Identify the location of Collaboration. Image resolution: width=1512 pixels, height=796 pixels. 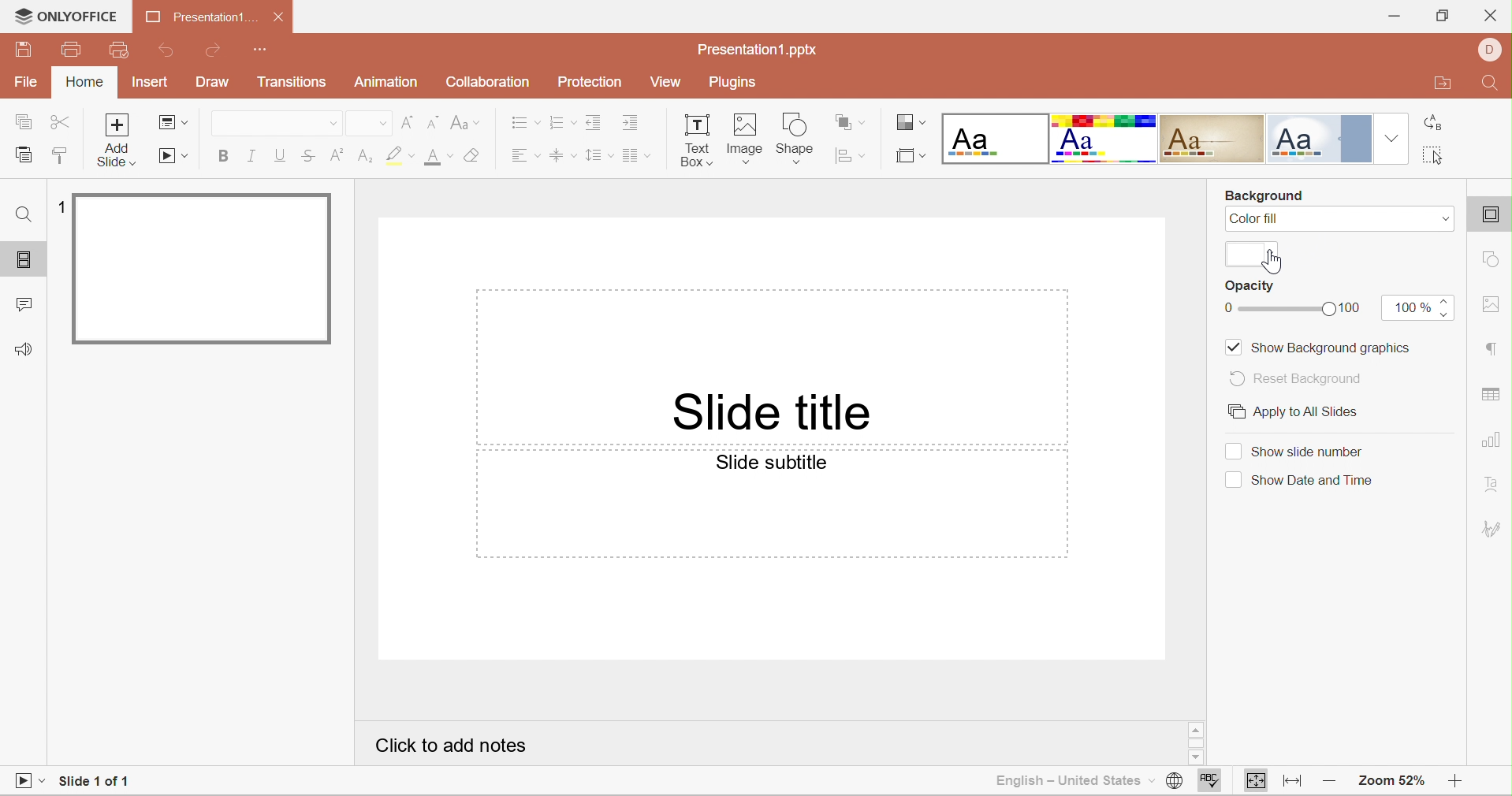
(487, 82).